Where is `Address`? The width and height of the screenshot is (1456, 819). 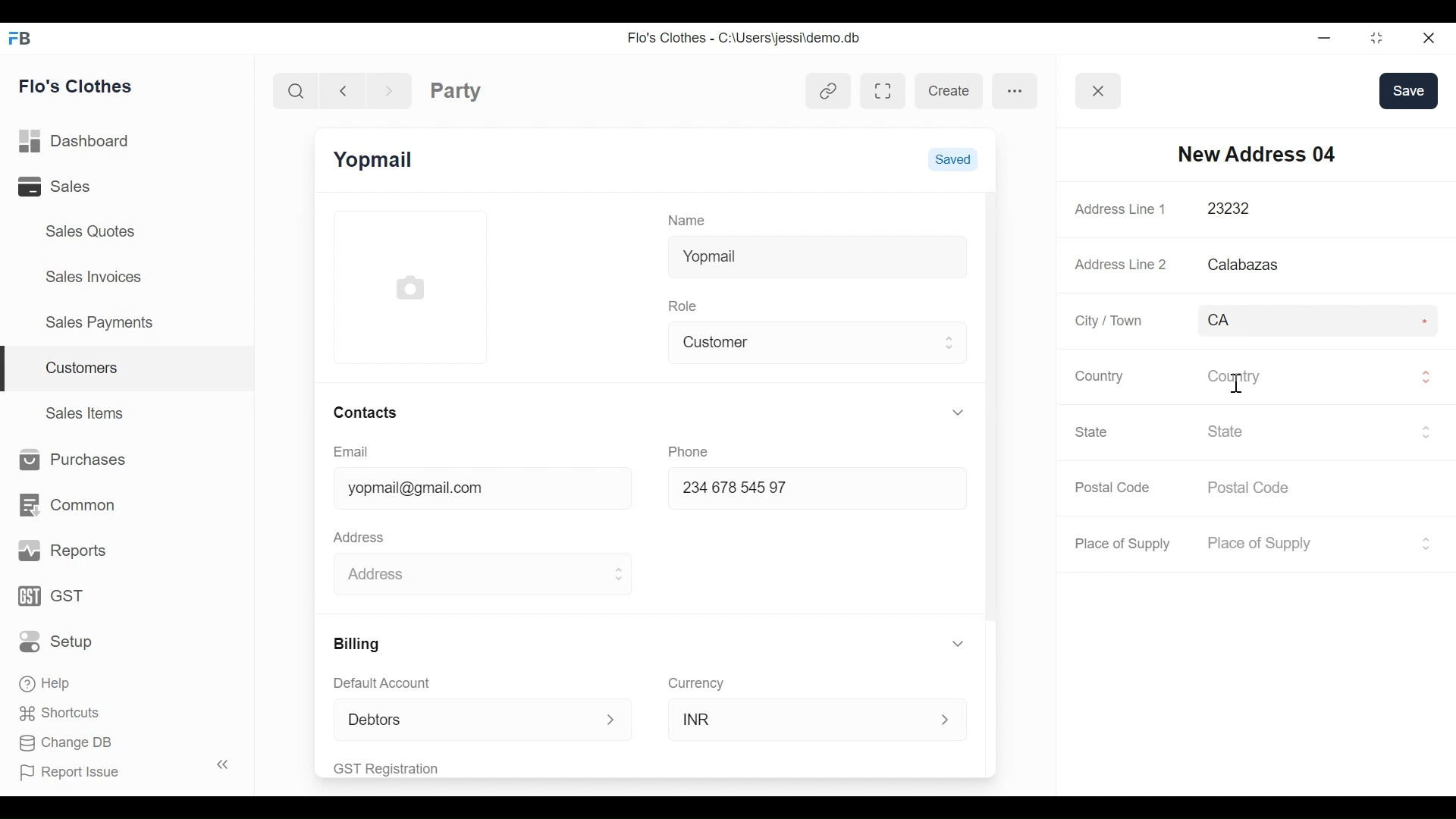
Address is located at coordinates (362, 535).